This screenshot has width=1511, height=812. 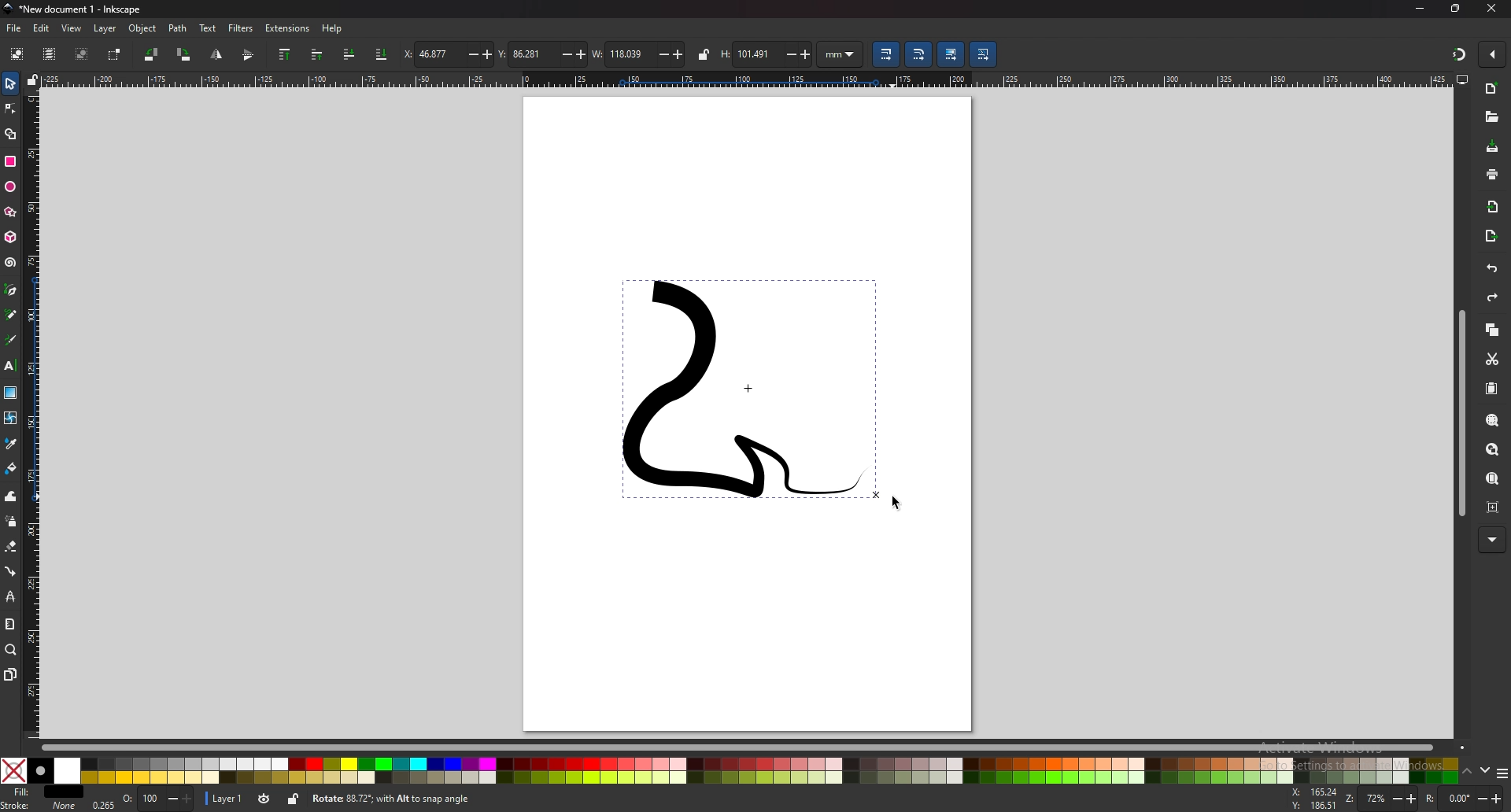 What do you see at coordinates (11, 496) in the screenshot?
I see `tweak` at bounding box center [11, 496].